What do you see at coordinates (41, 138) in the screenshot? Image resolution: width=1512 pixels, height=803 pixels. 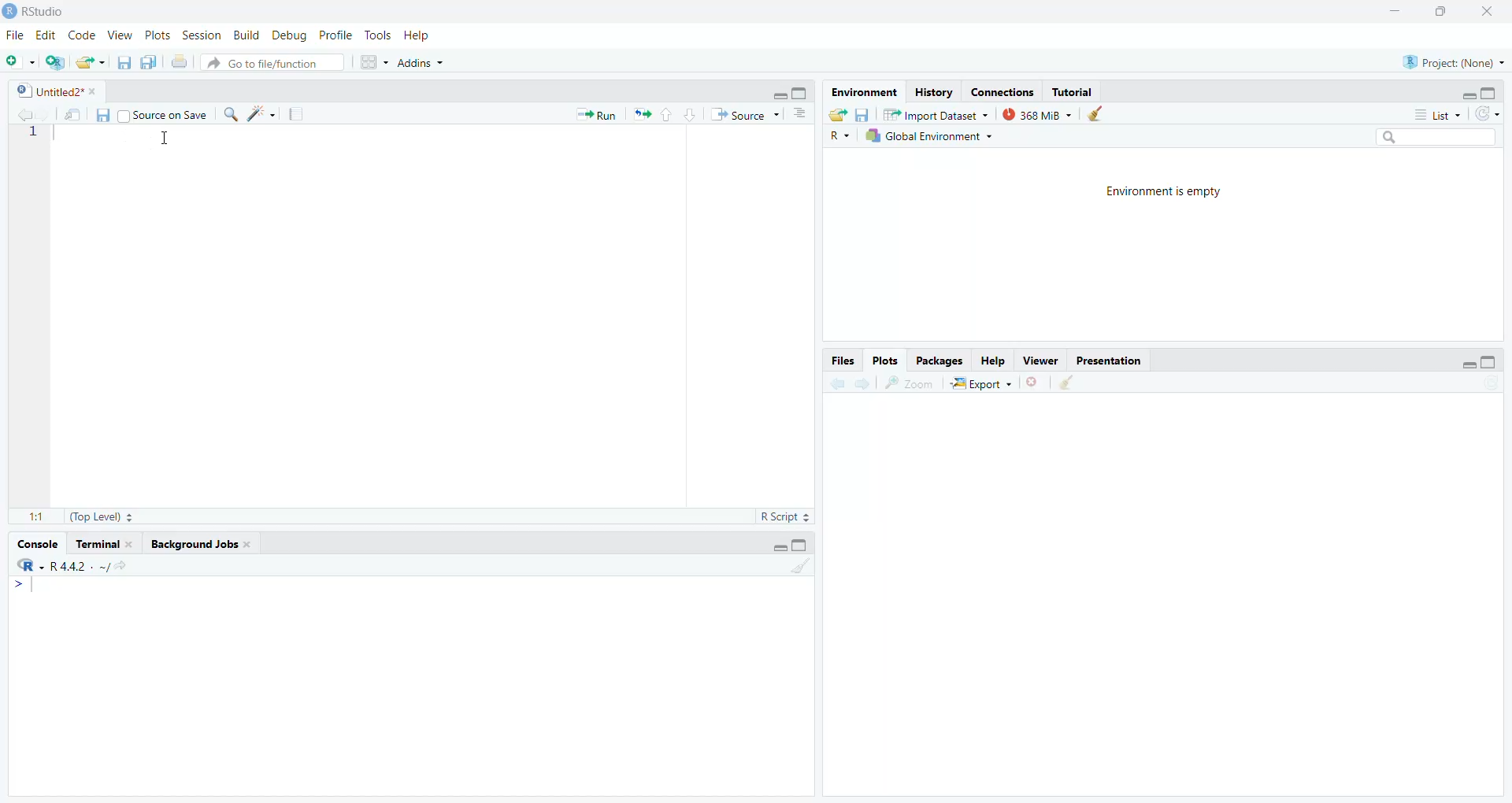 I see `1` at bounding box center [41, 138].